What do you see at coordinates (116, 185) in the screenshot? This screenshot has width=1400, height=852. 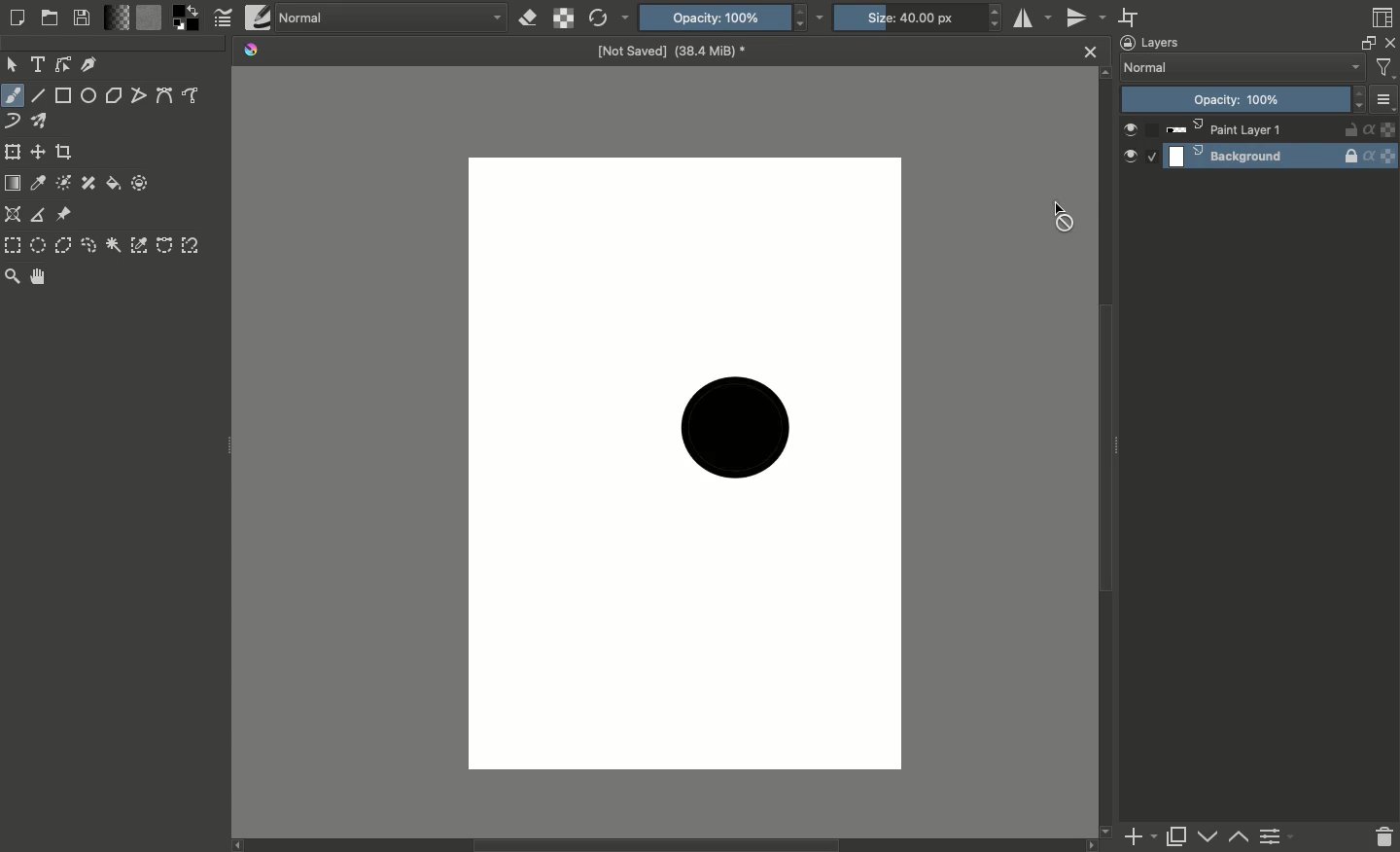 I see `Fill` at bounding box center [116, 185].